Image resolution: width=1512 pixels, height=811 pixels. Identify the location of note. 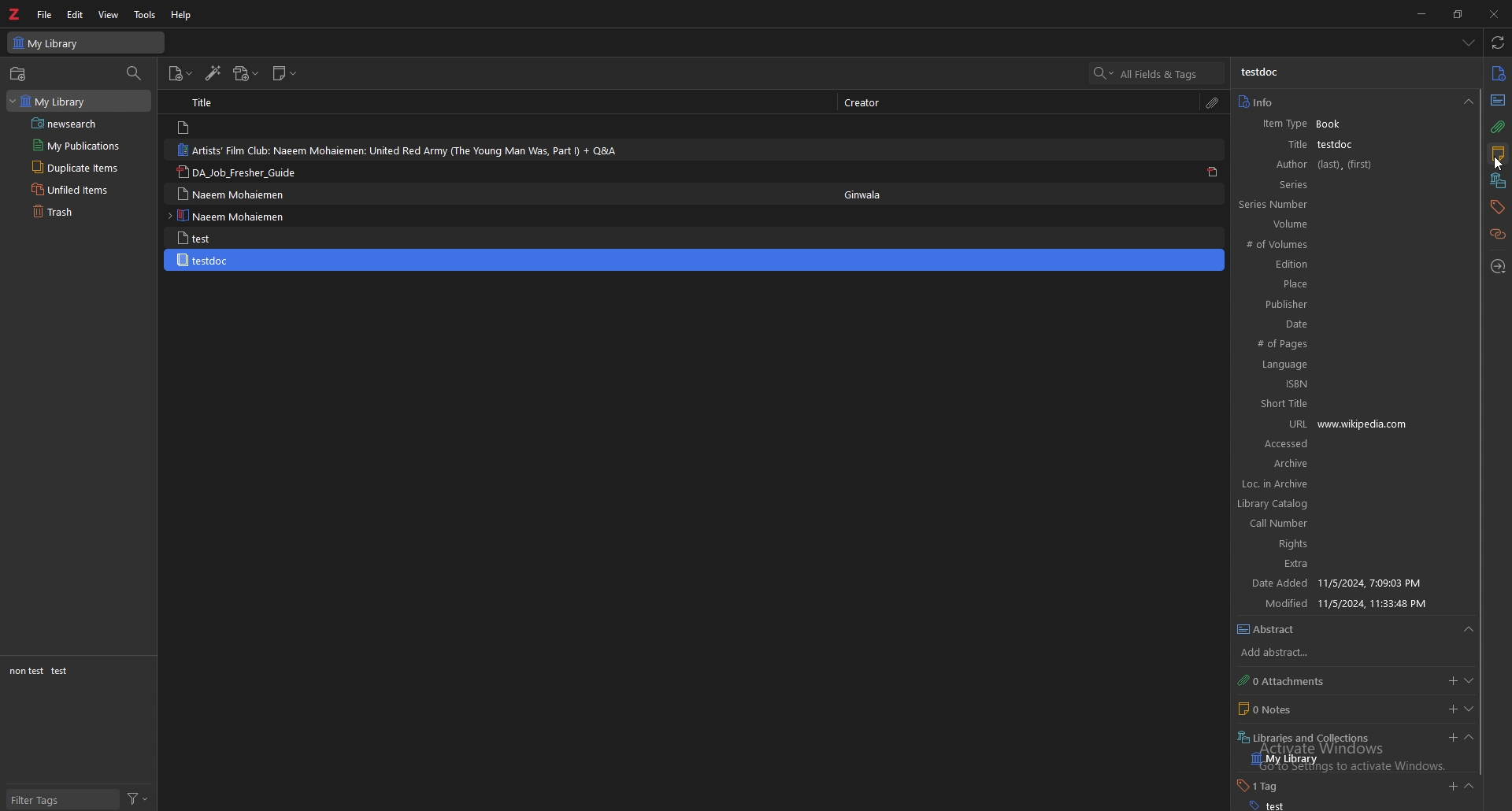
(217, 128).